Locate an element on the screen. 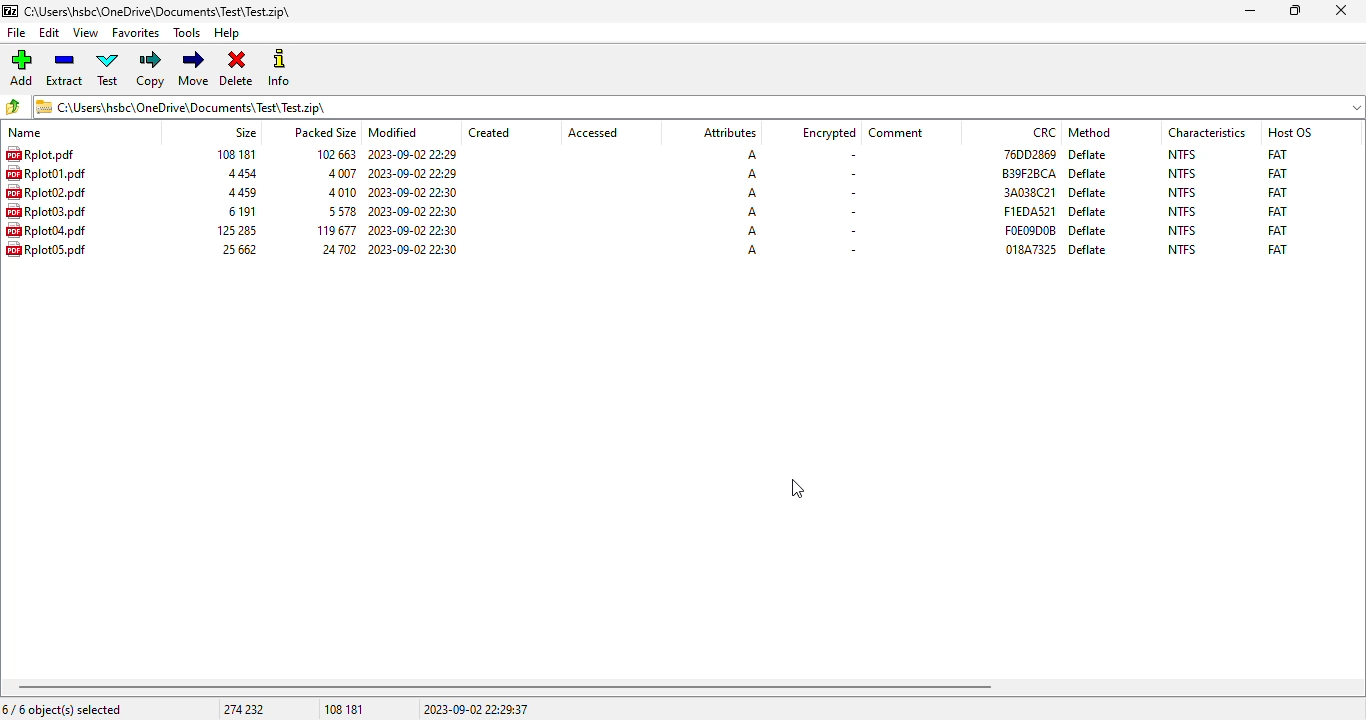 The height and width of the screenshot is (720, 1366). host OS is located at coordinates (1290, 132).